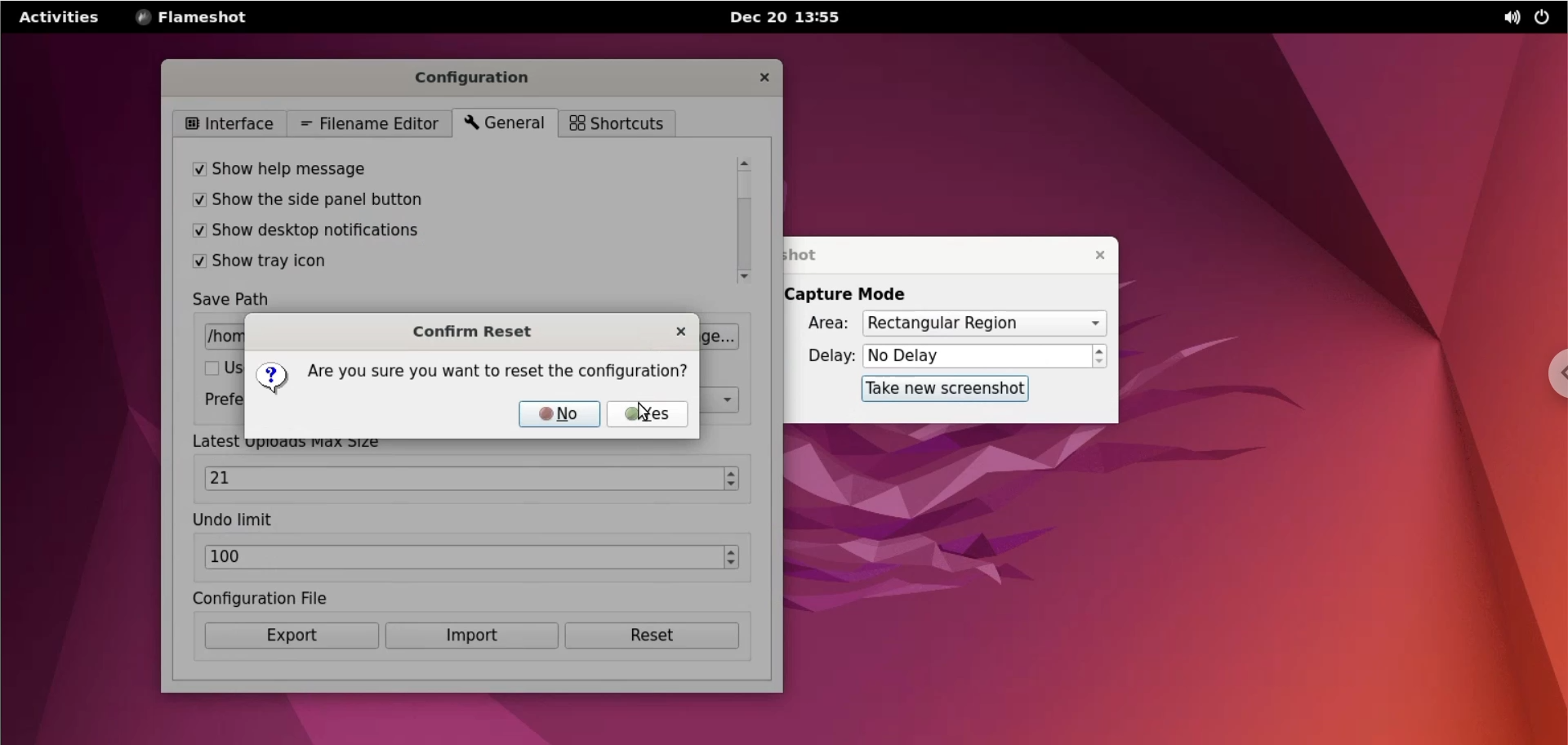 The image size is (1568, 745). I want to click on save path, so click(244, 297).